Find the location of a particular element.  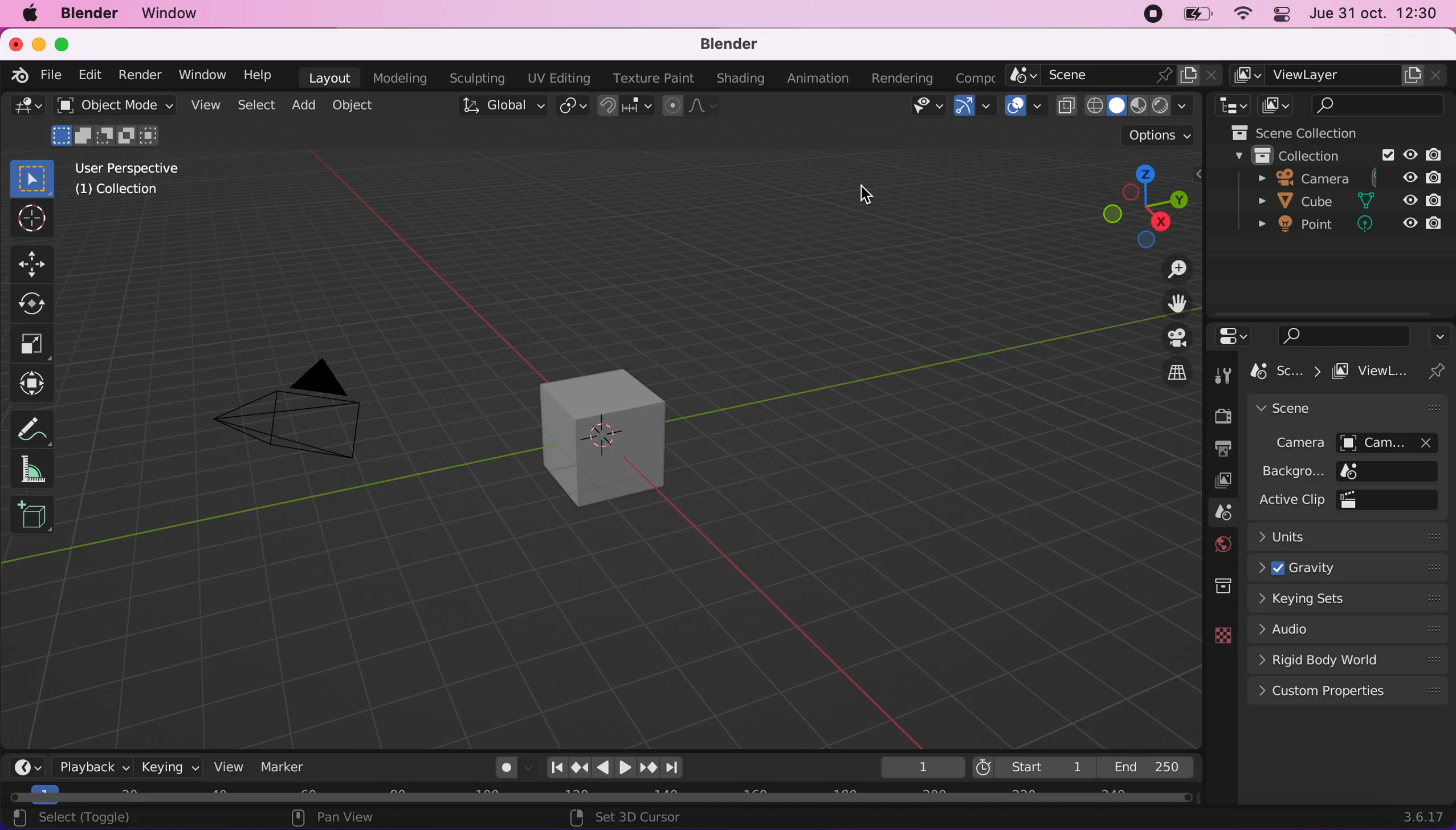

move is located at coordinates (32, 262).